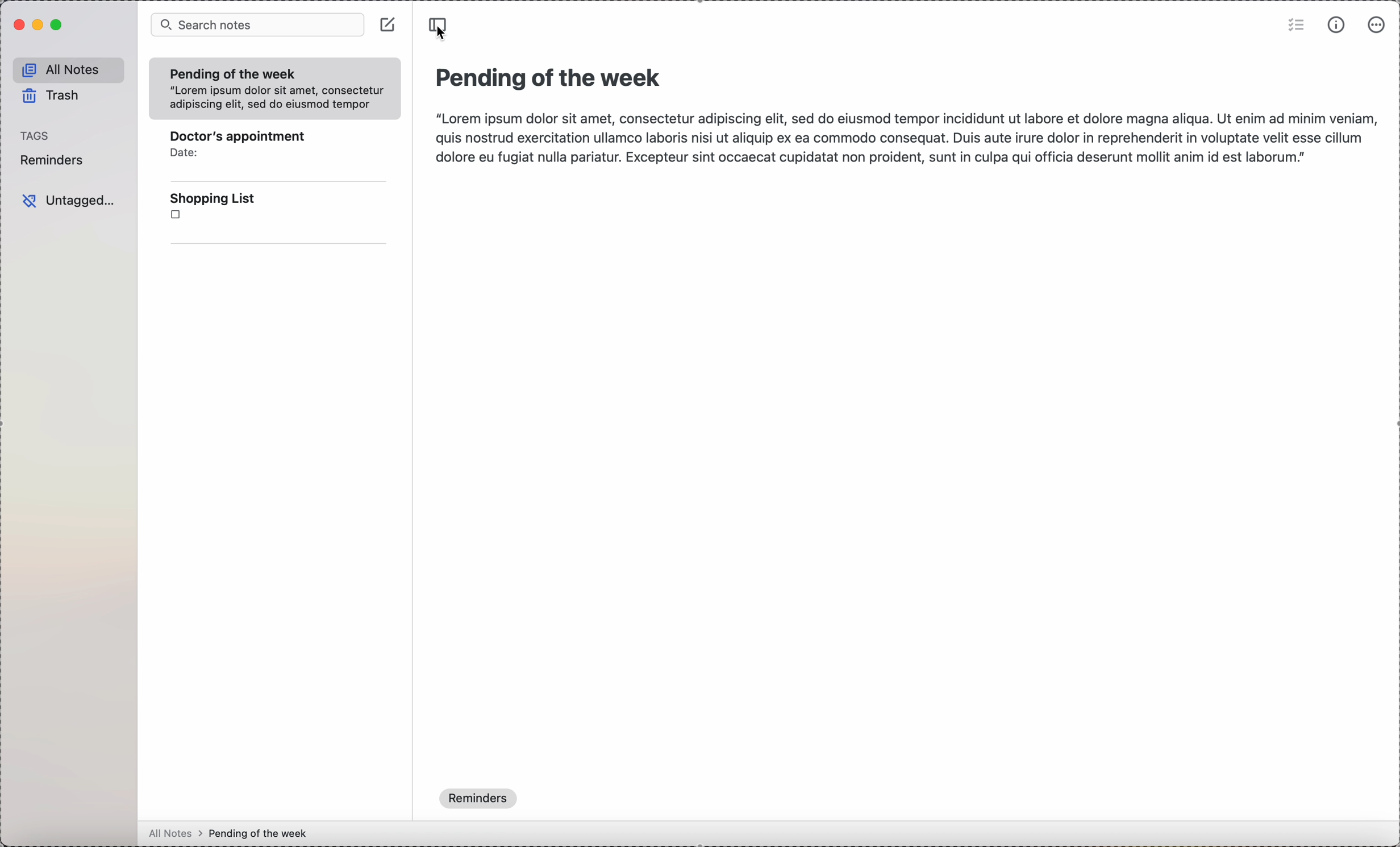 This screenshot has width=1400, height=847. What do you see at coordinates (250, 152) in the screenshot?
I see `doctor's appointment note` at bounding box center [250, 152].